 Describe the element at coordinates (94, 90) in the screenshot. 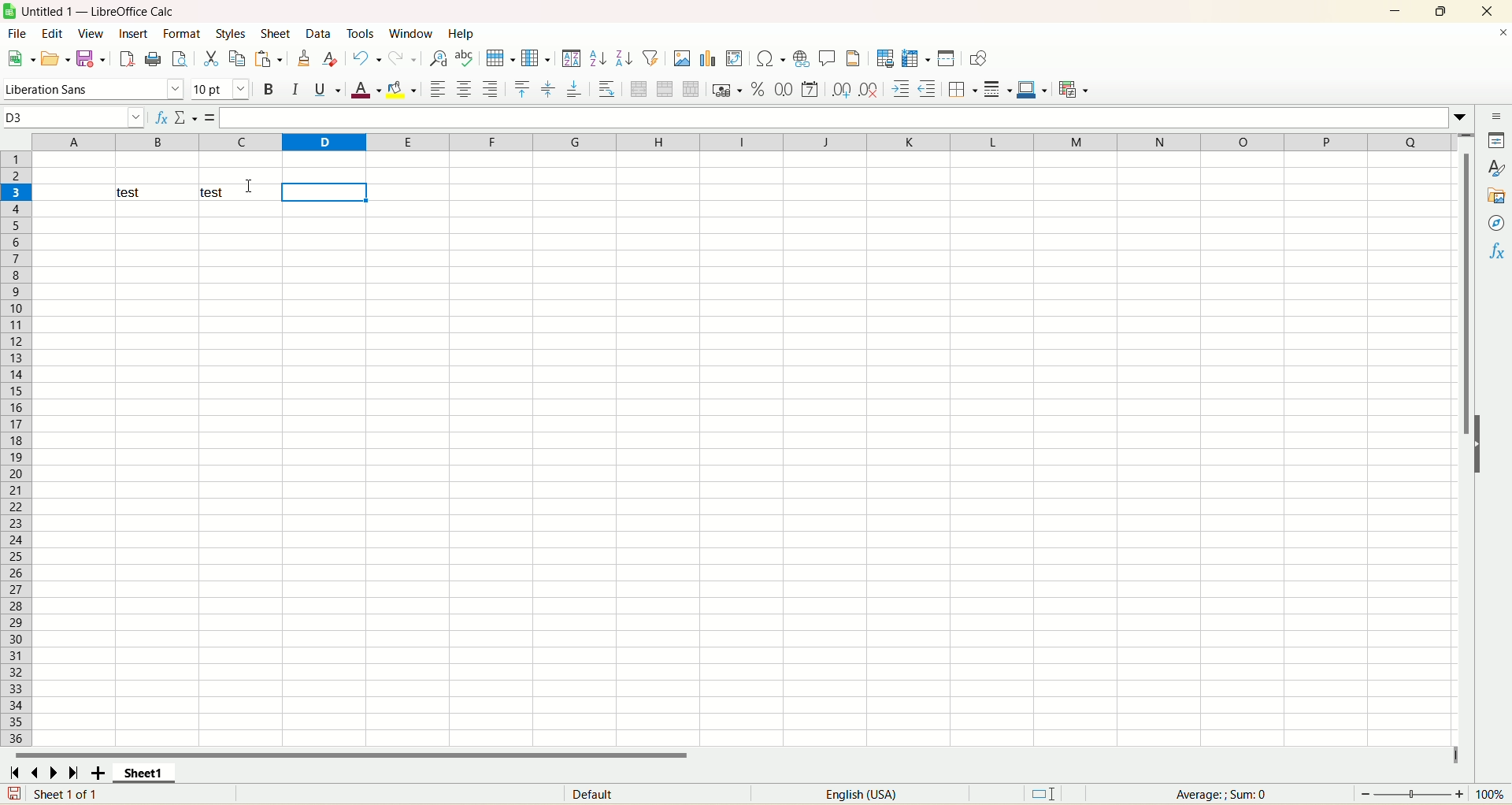

I see `font name` at that location.